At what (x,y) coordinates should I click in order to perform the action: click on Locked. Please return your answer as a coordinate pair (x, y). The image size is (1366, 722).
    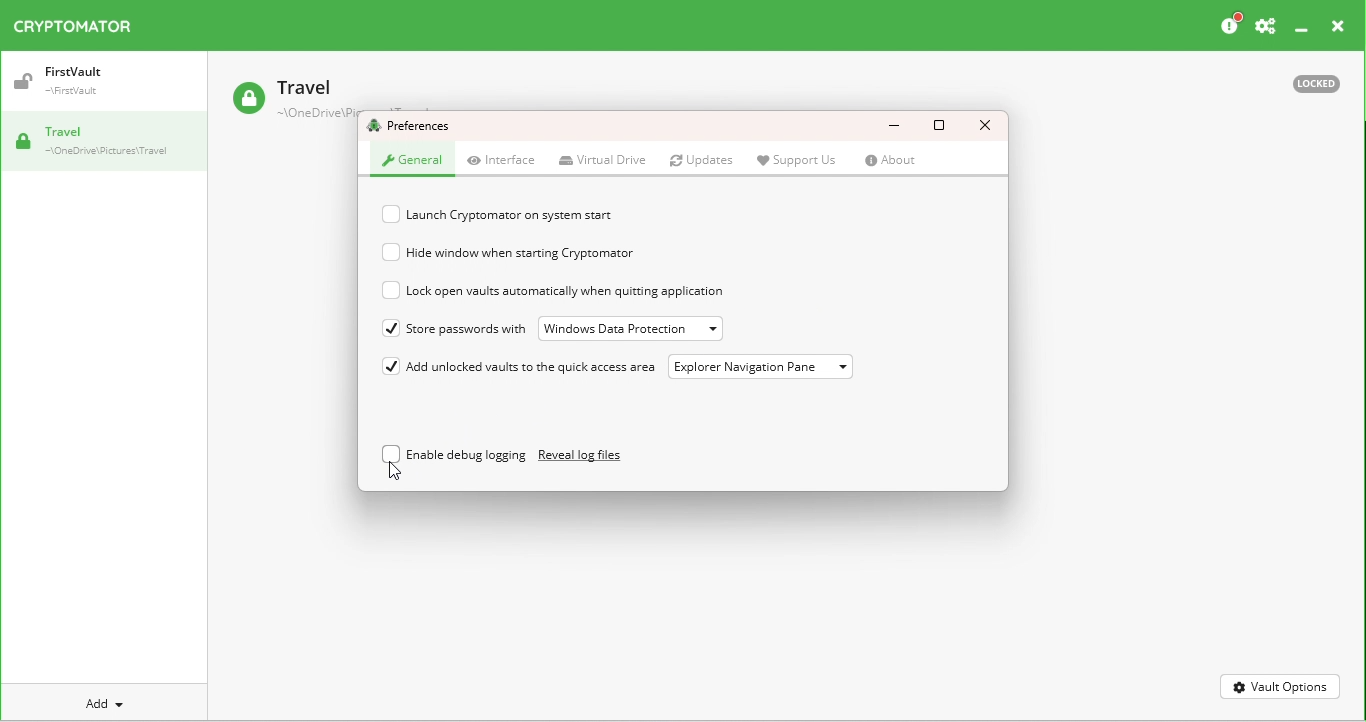
    Looking at the image, I should click on (1317, 86).